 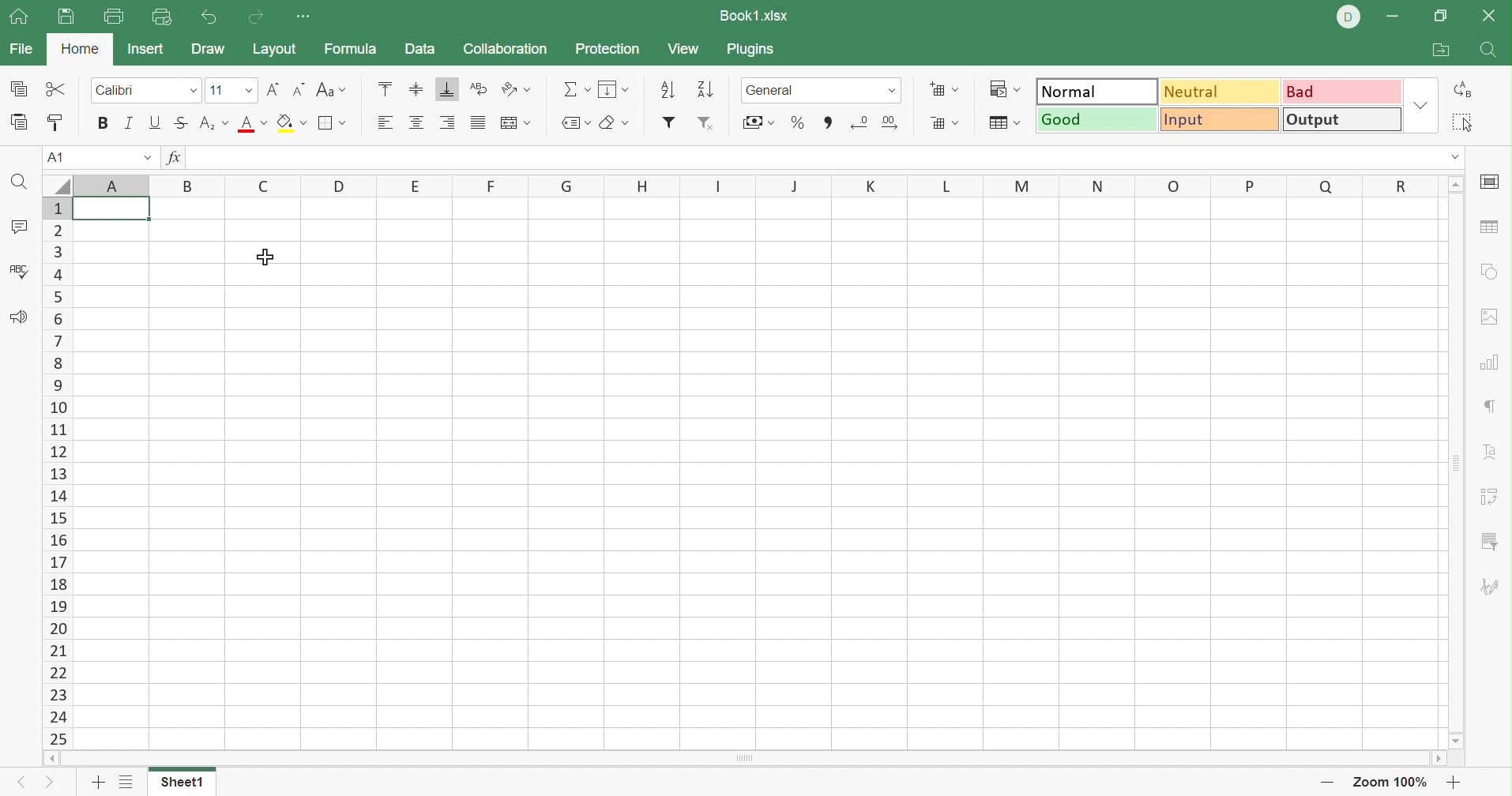 What do you see at coordinates (414, 88) in the screenshot?
I see `Align middle` at bounding box center [414, 88].